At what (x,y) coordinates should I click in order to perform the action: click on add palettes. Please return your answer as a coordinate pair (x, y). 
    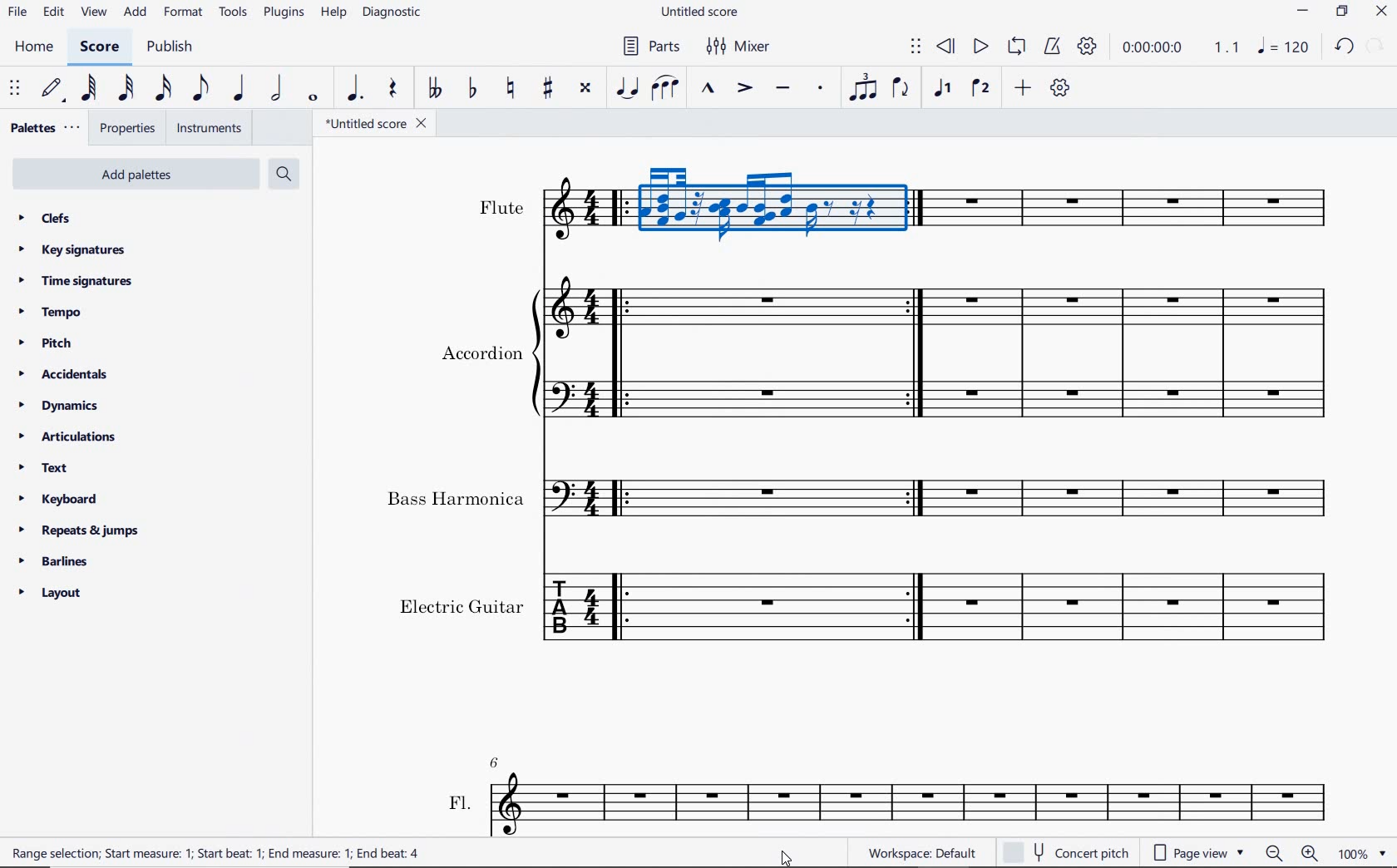
    Looking at the image, I should click on (133, 172).